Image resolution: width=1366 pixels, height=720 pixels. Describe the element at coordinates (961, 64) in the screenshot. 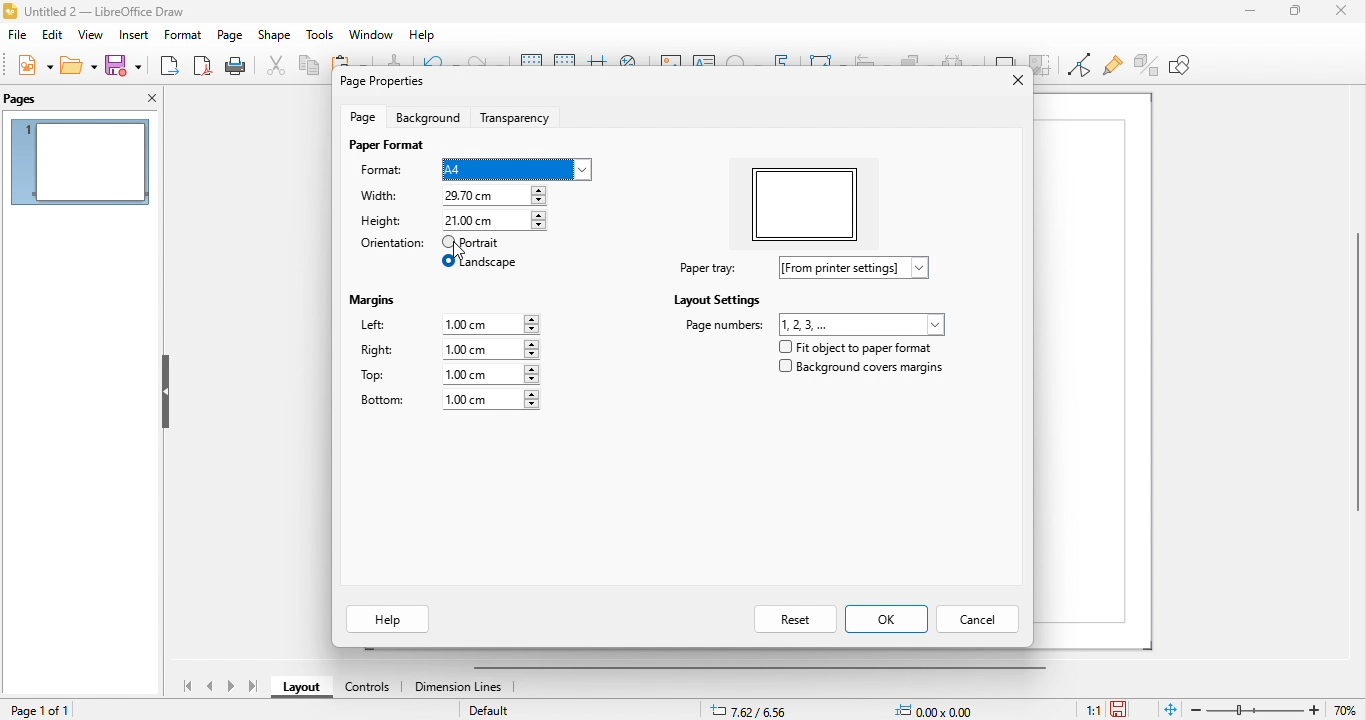

I see `select atleast 3 objects to attributes` at that location.